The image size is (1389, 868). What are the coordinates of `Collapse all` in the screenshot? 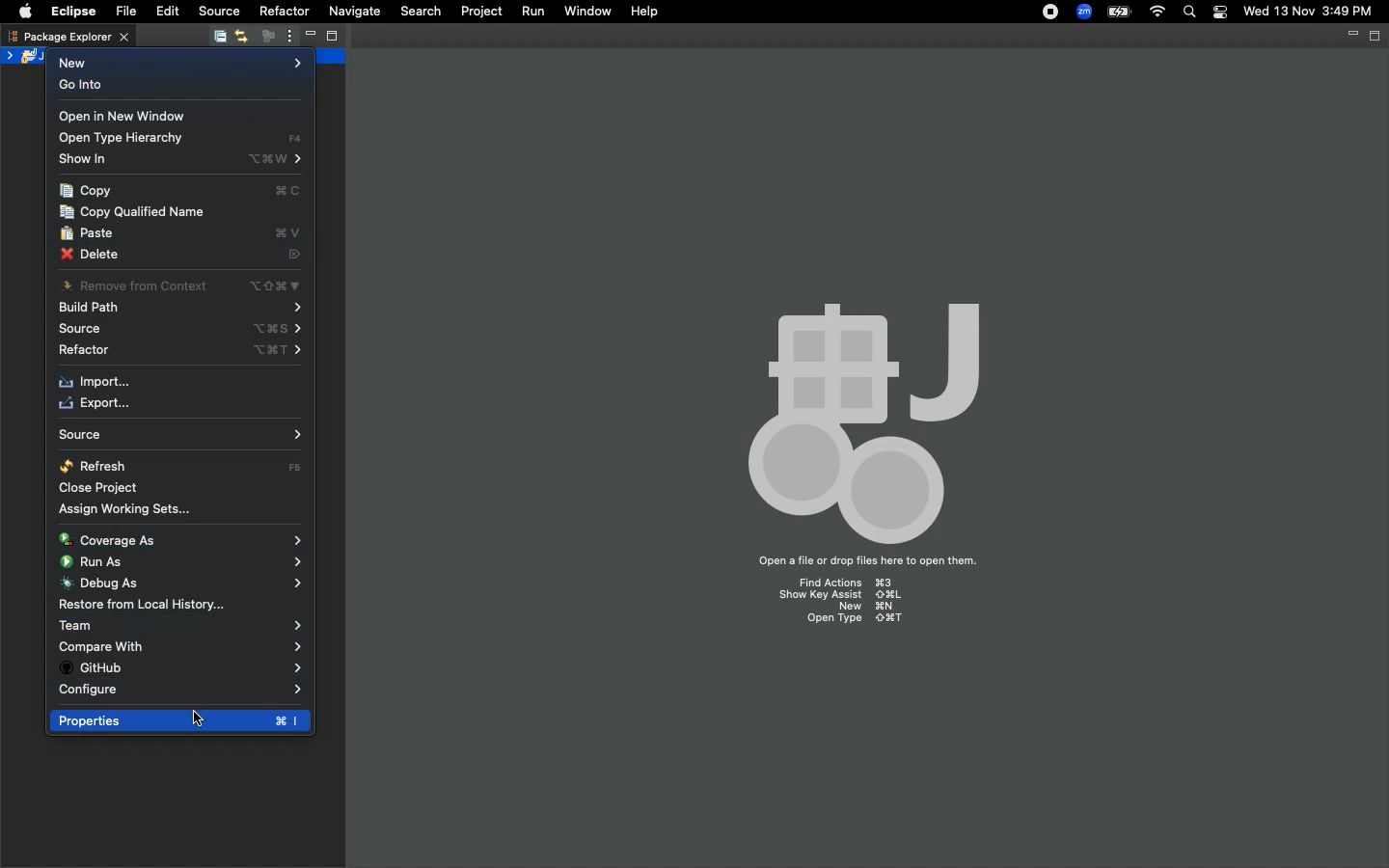 It's located at (218, 38).